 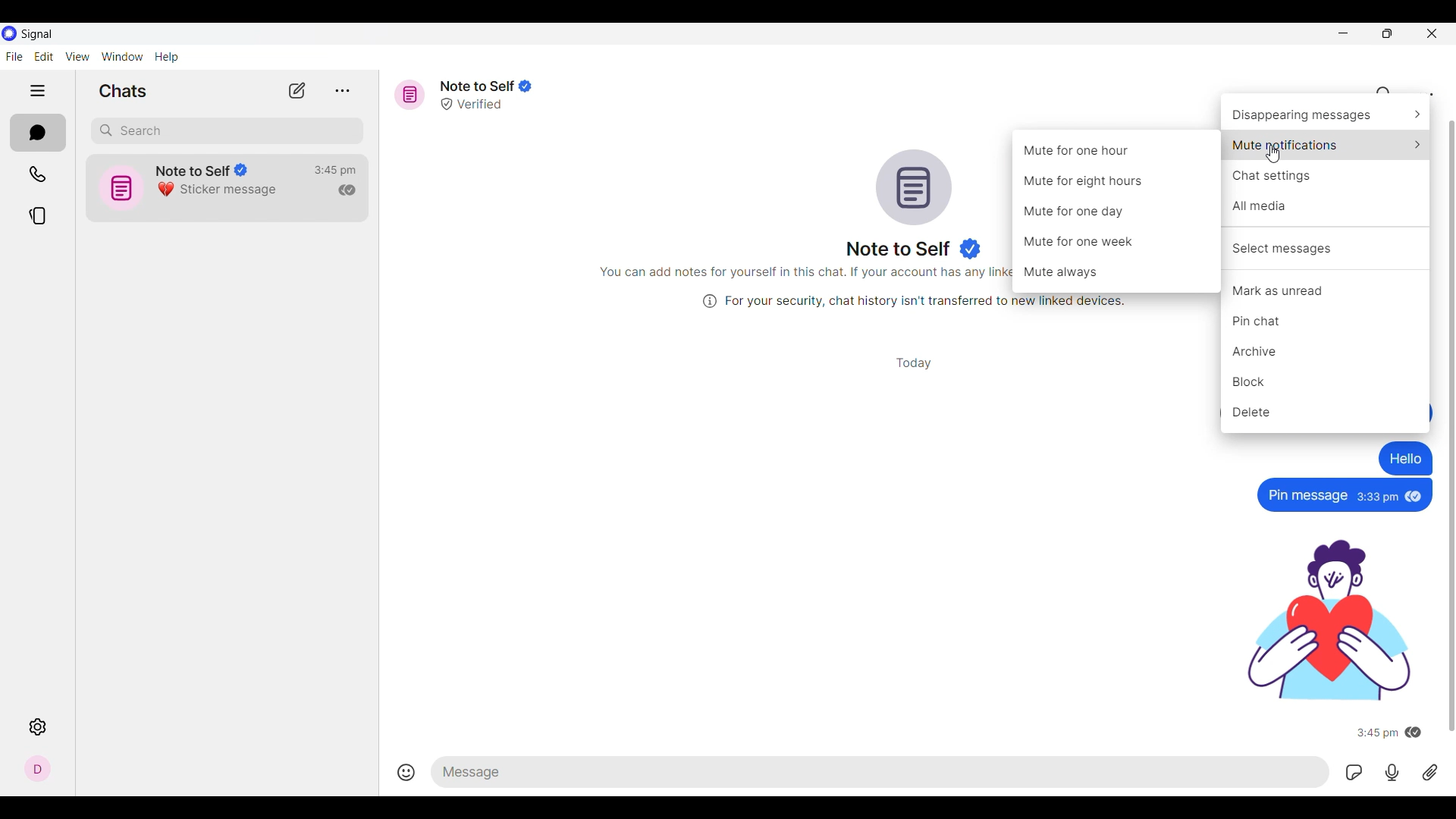 I want to click on Calls, so click(x=38, y=174).